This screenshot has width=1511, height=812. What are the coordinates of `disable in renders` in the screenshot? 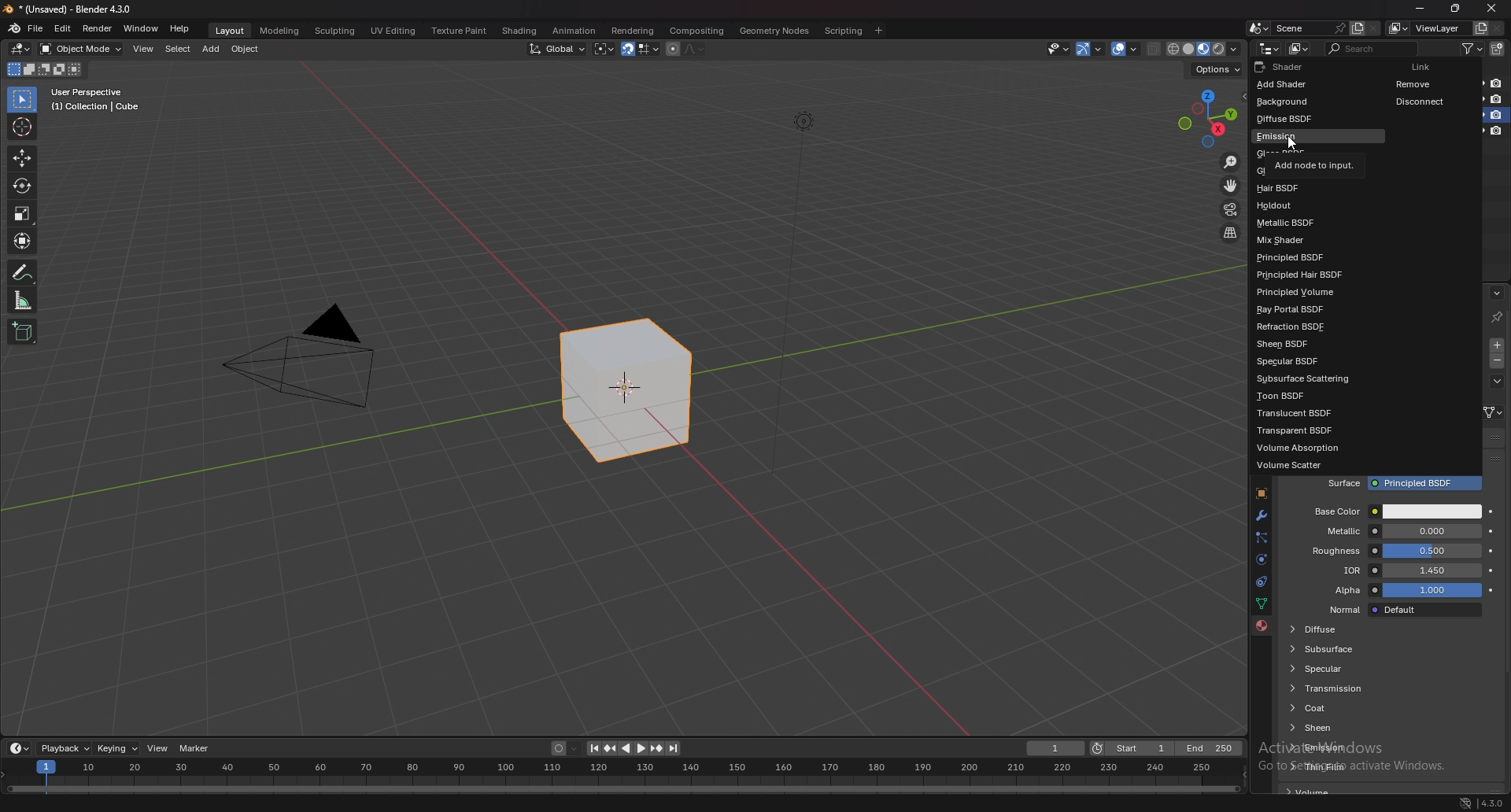 It's located at (1498, 114).